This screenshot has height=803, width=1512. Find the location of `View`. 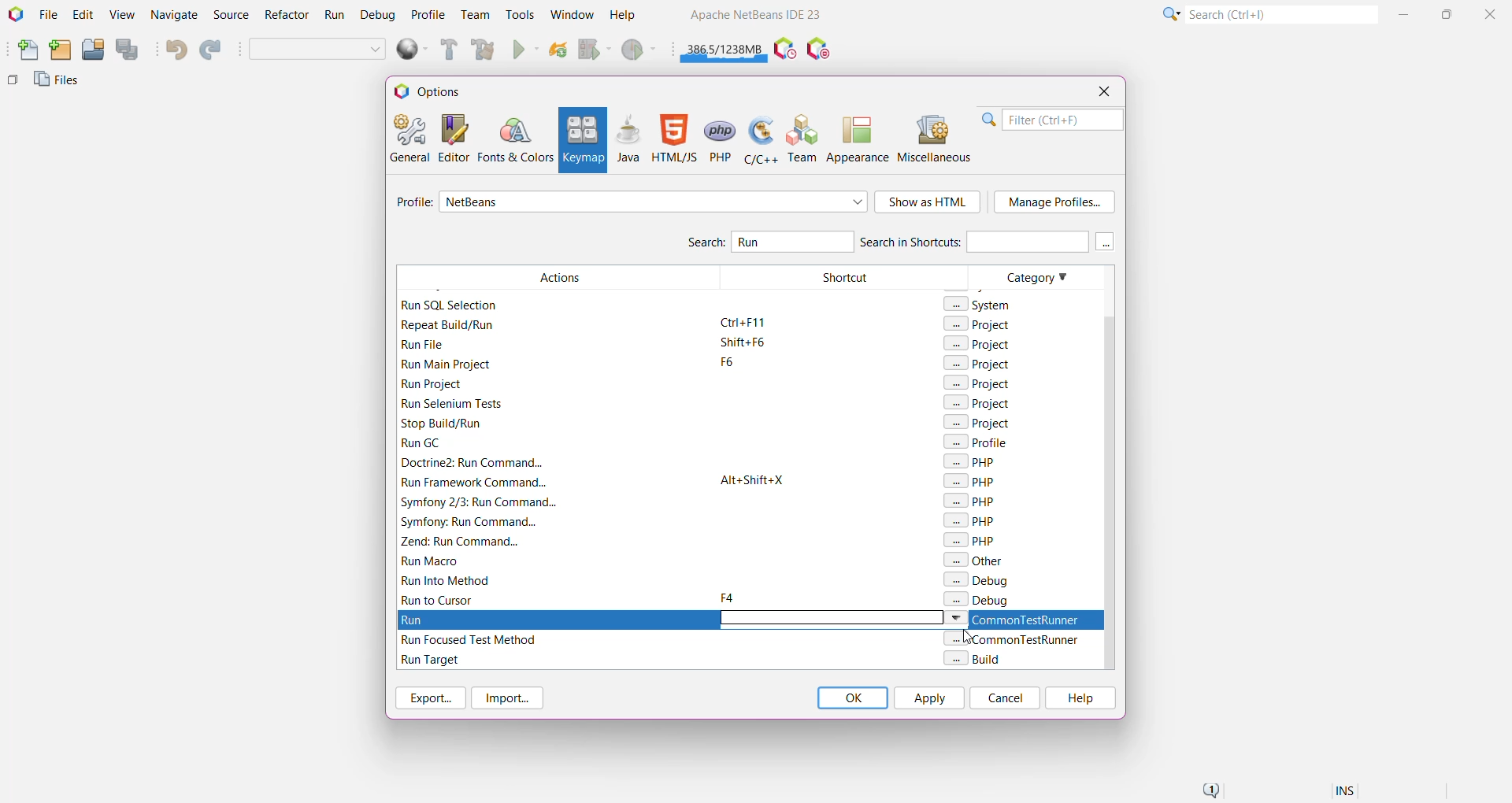

View is located at coordinates (121, 16).